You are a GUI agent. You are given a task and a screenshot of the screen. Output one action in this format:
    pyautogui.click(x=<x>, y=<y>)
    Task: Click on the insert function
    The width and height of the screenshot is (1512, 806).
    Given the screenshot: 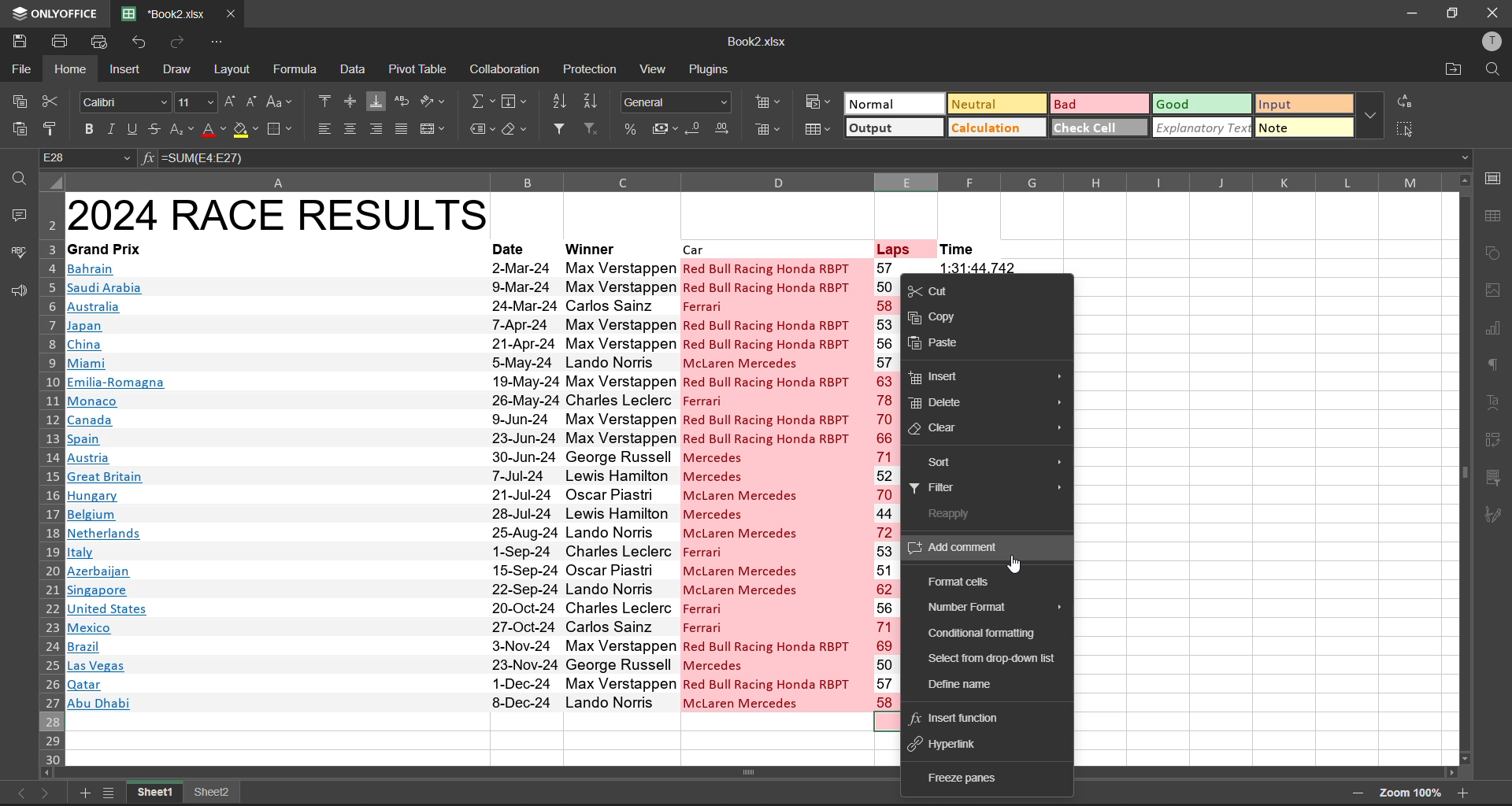 What is the action you would take?
    pyautogui.click(x=964, y=720)
    